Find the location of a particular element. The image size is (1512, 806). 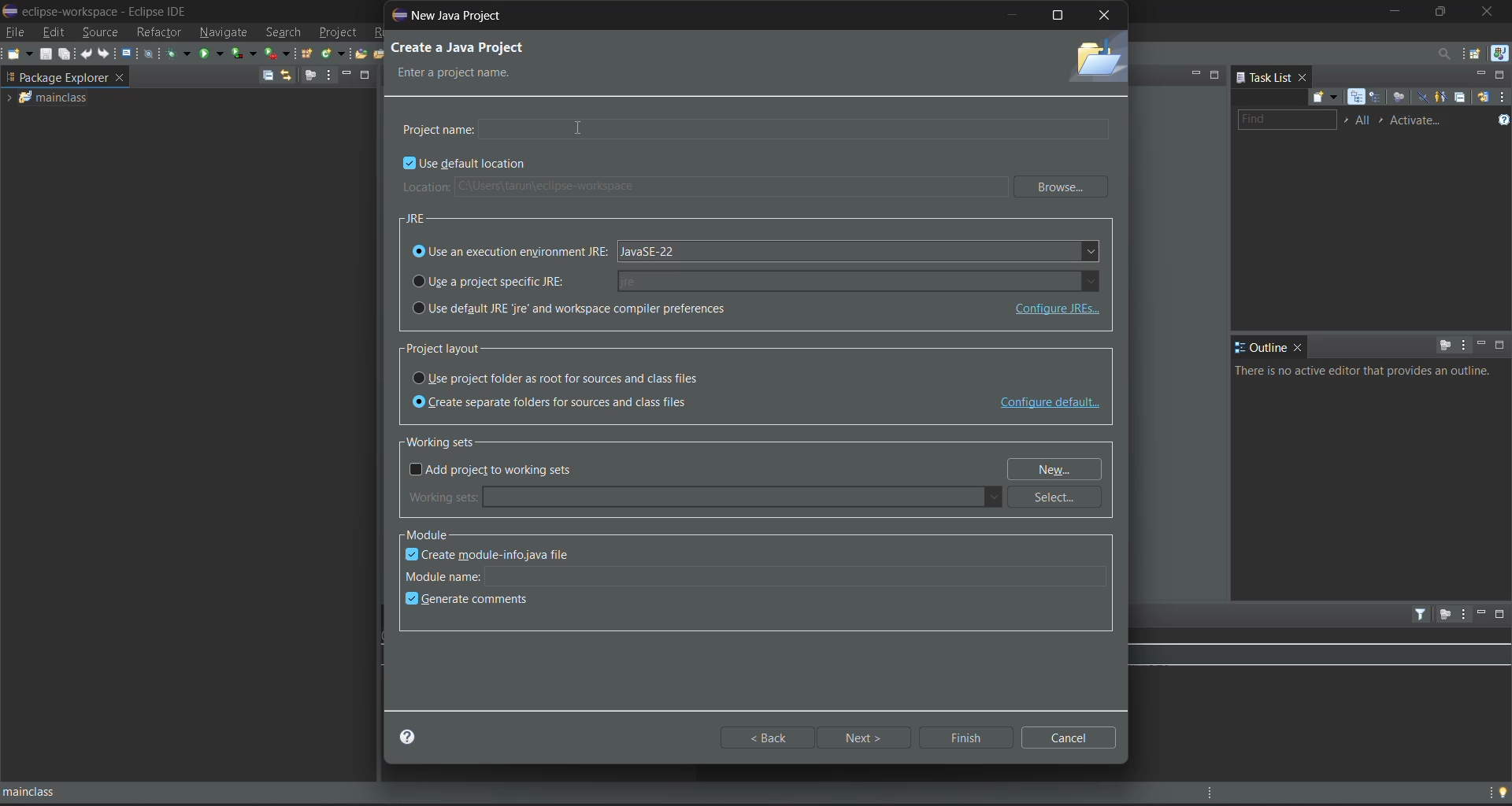

mainclass is located at coordinates (68, 98).